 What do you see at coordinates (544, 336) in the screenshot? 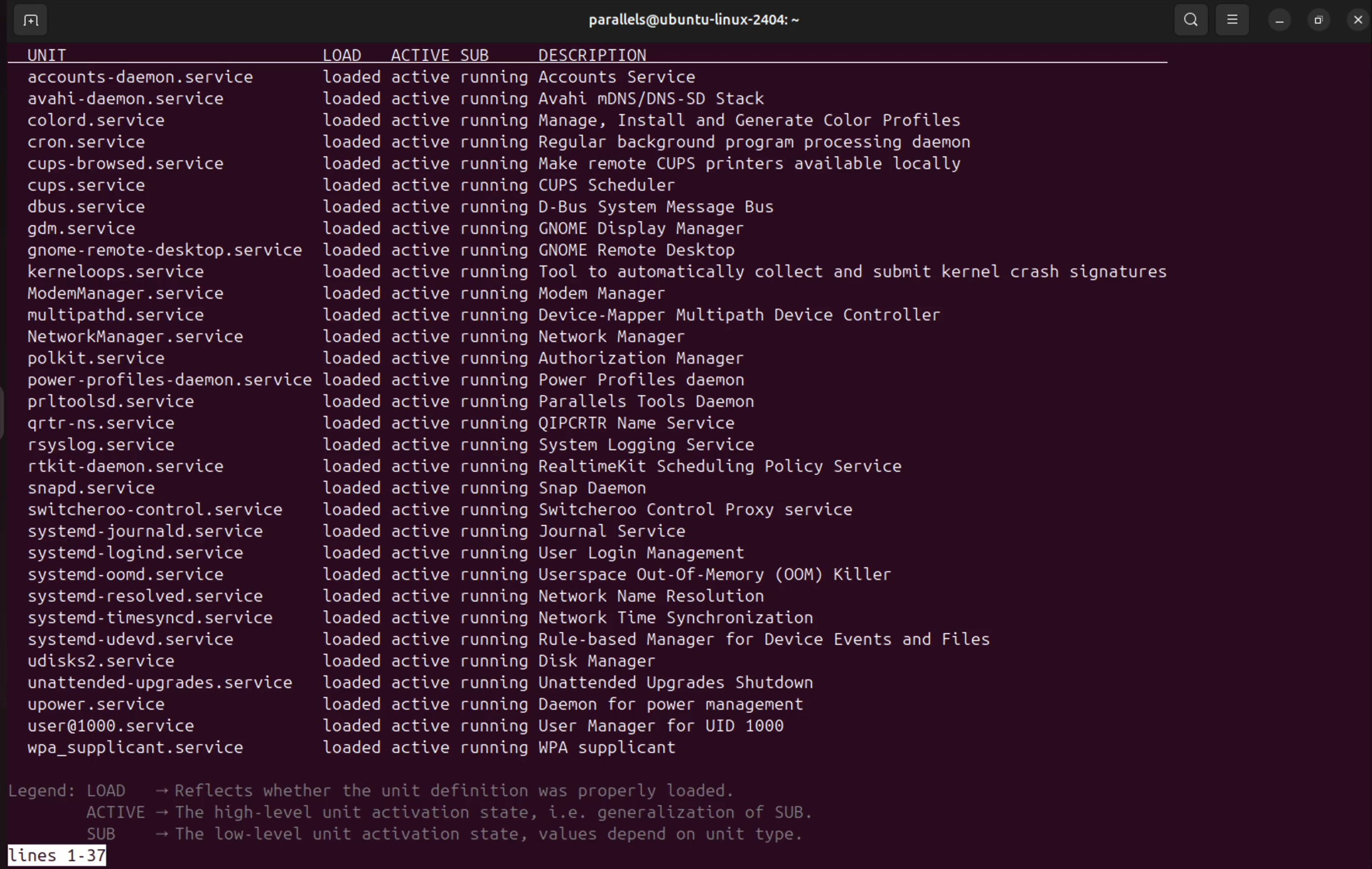
I see `active running network manager` at bounding box center [544, 336].